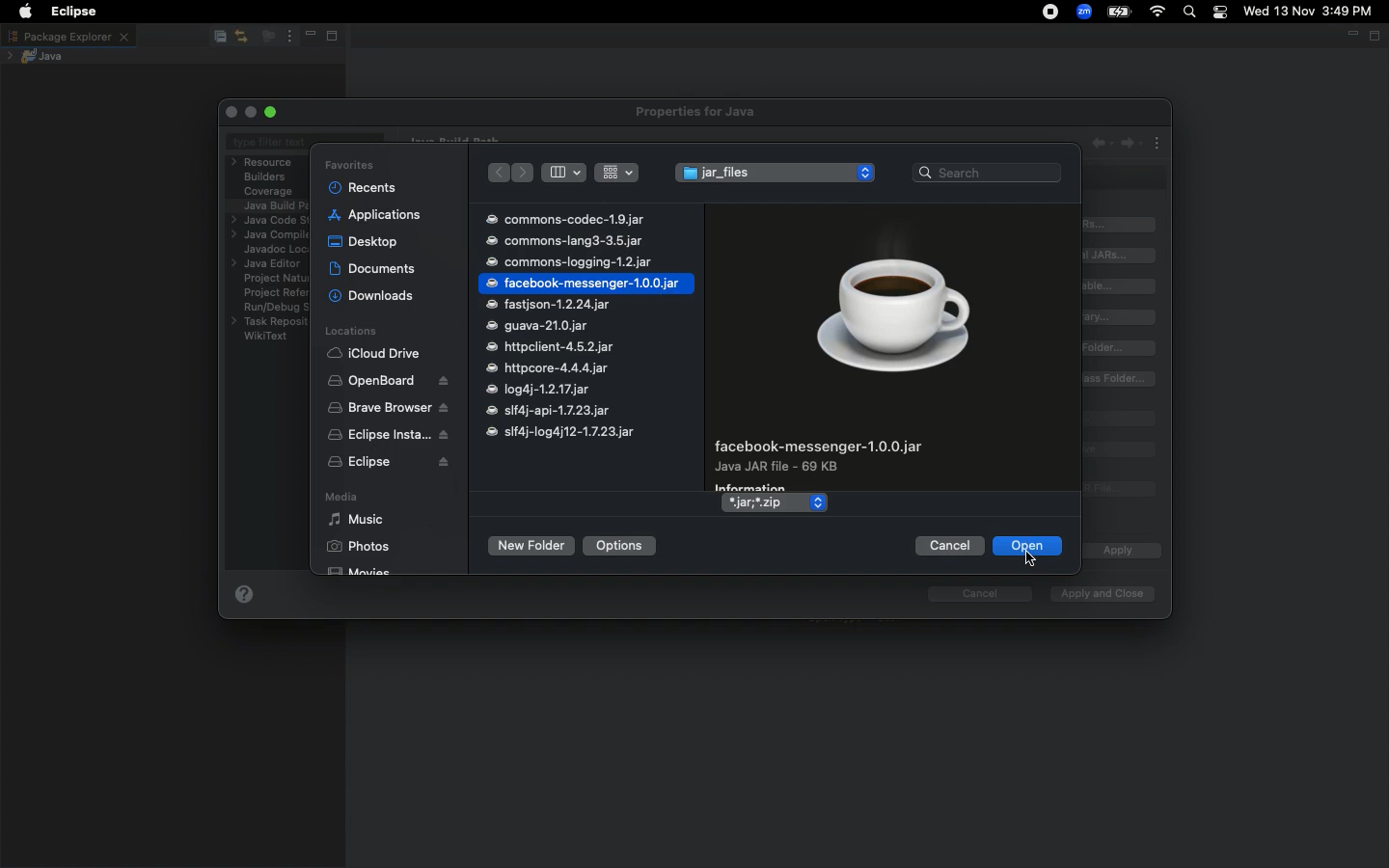  What do you see at coordinates (244, 598) in the screenshot?
I see `Help` at bounding box center [244, 598].